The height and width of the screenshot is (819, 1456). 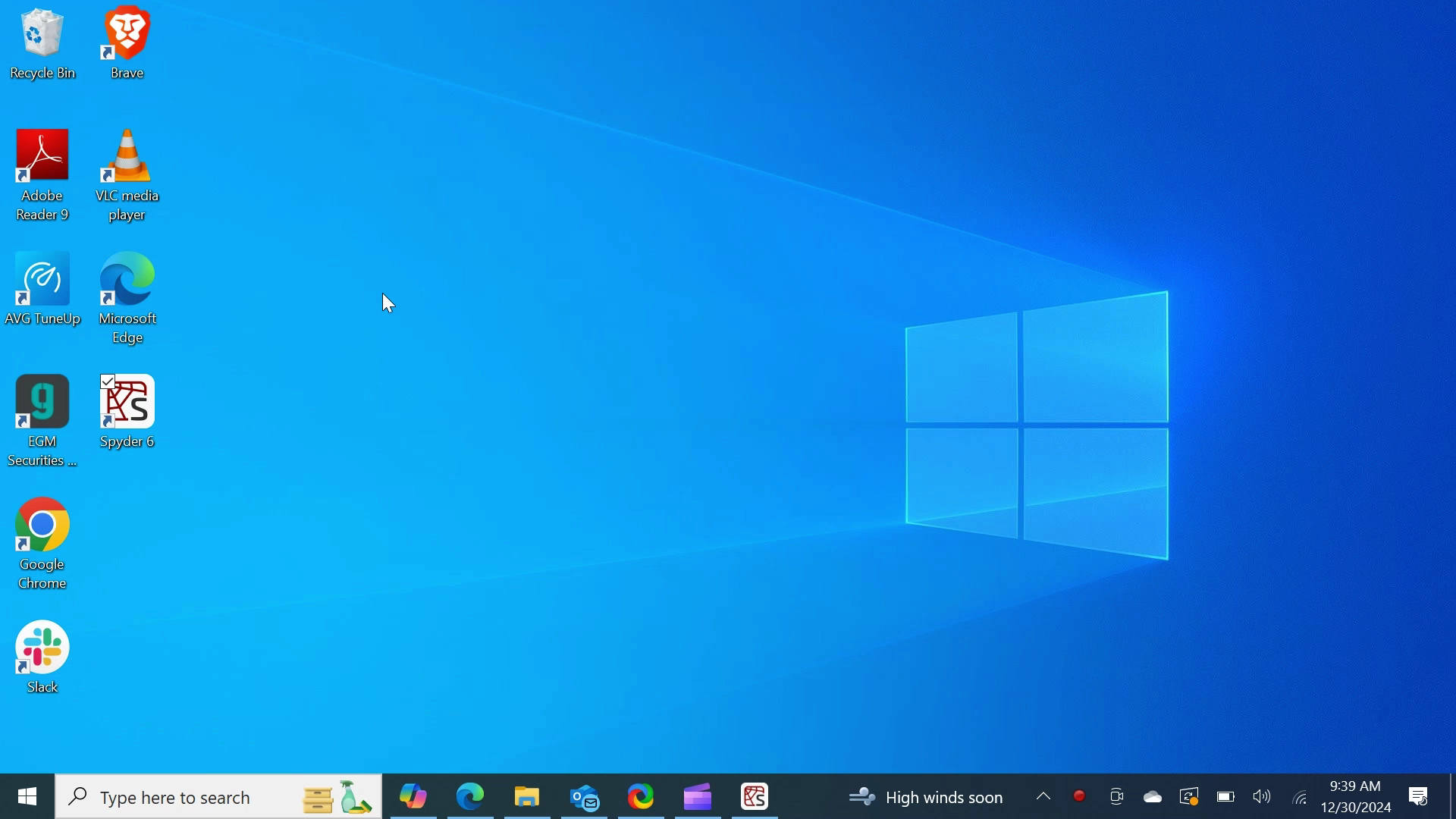 I want to click on Brave Desktop Icon, so click(x=128, y=47).